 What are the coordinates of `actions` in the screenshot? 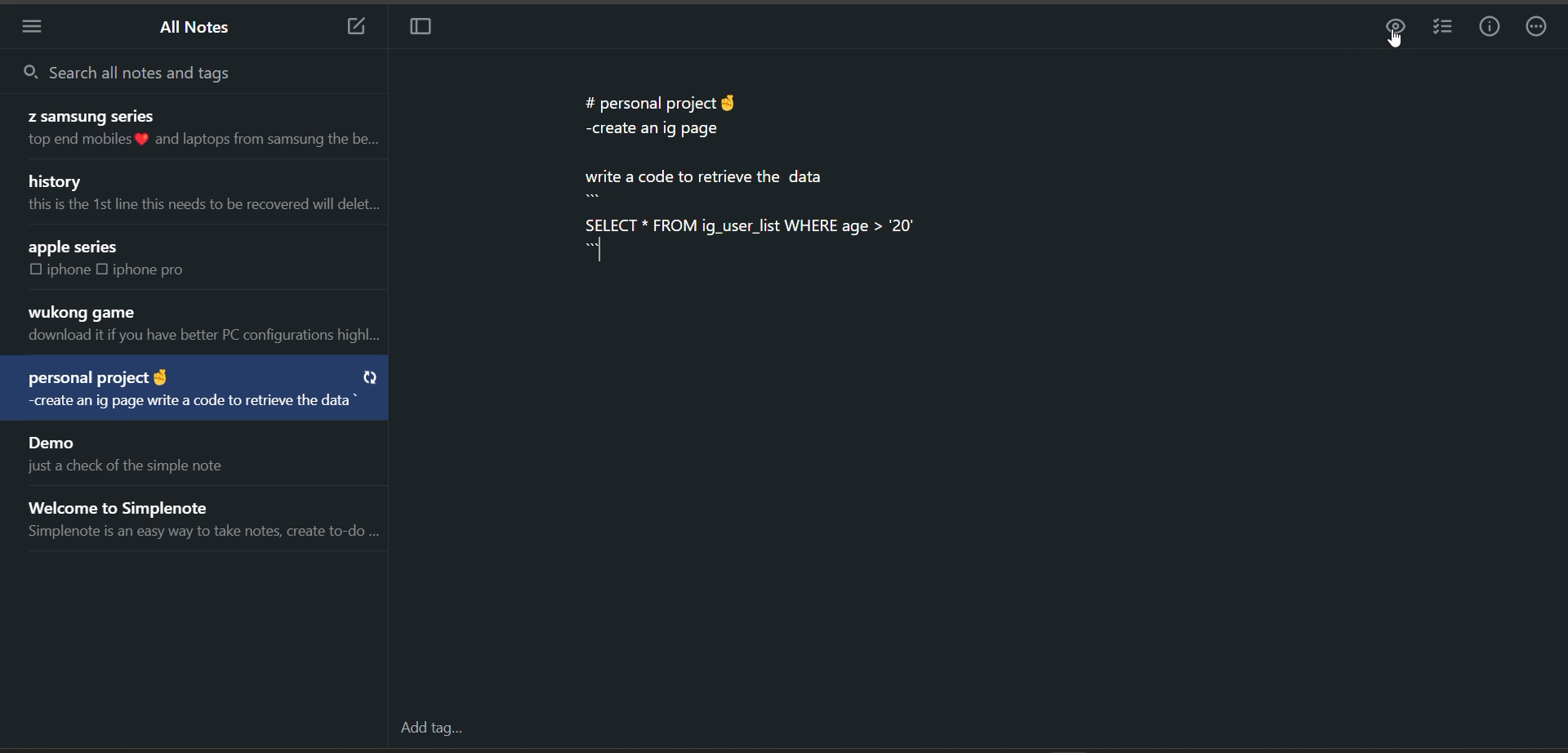 It's located at (1539, 29).